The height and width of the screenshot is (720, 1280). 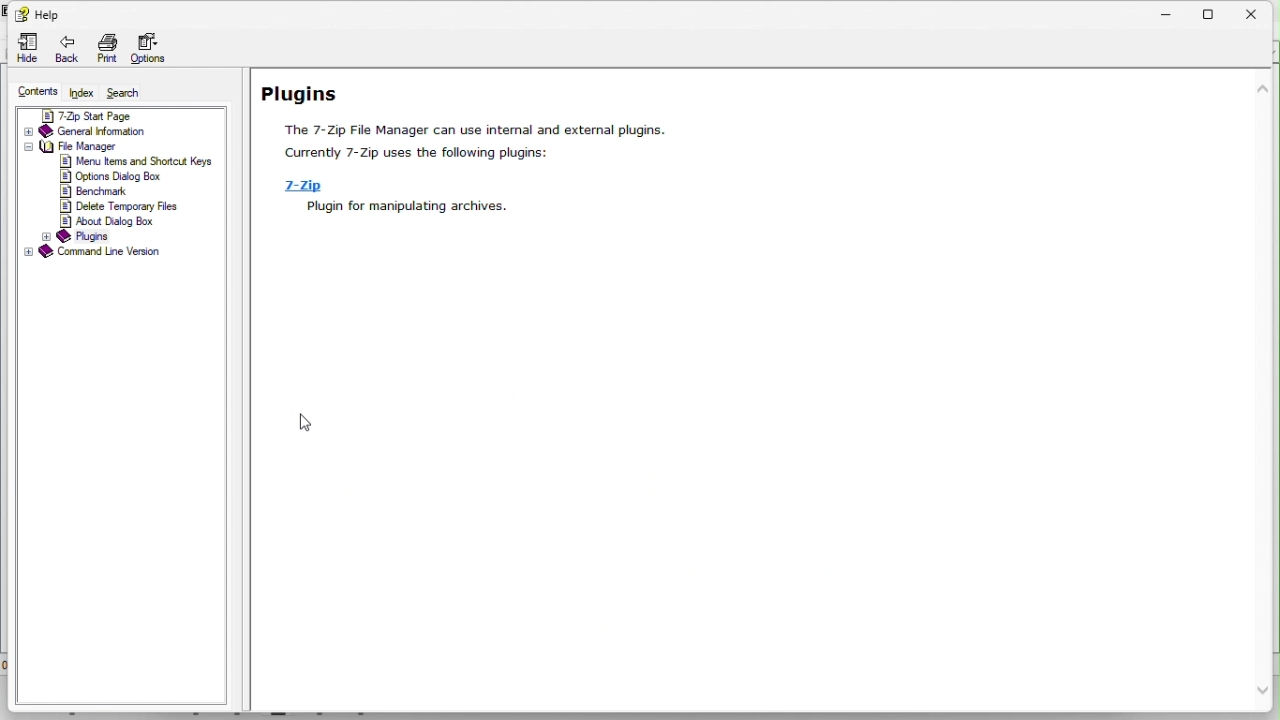 I want to click on Hide, so click(x=22, y=48).